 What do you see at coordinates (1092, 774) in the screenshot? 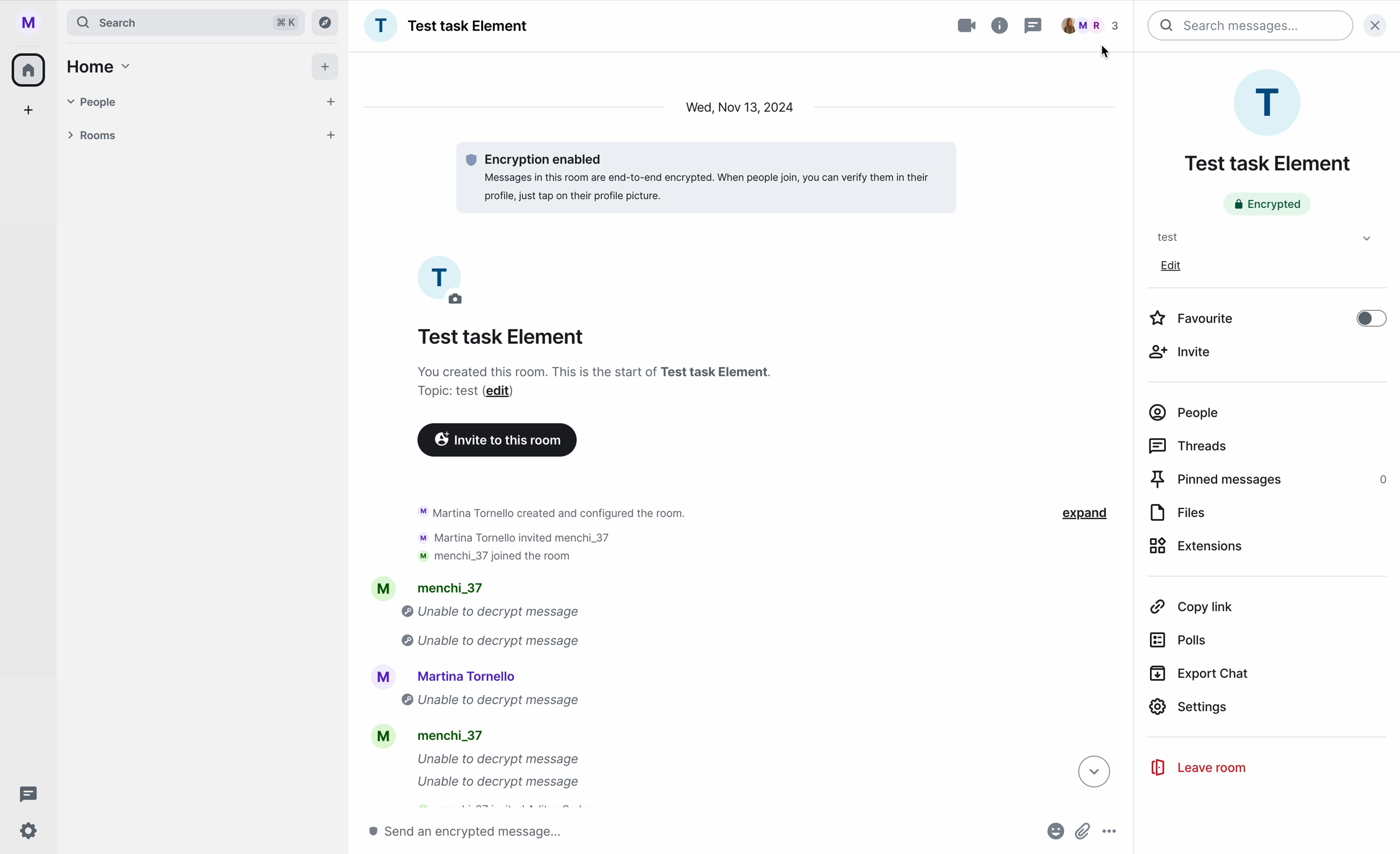
I see `down arrow` at bounding box center [1092, 774].